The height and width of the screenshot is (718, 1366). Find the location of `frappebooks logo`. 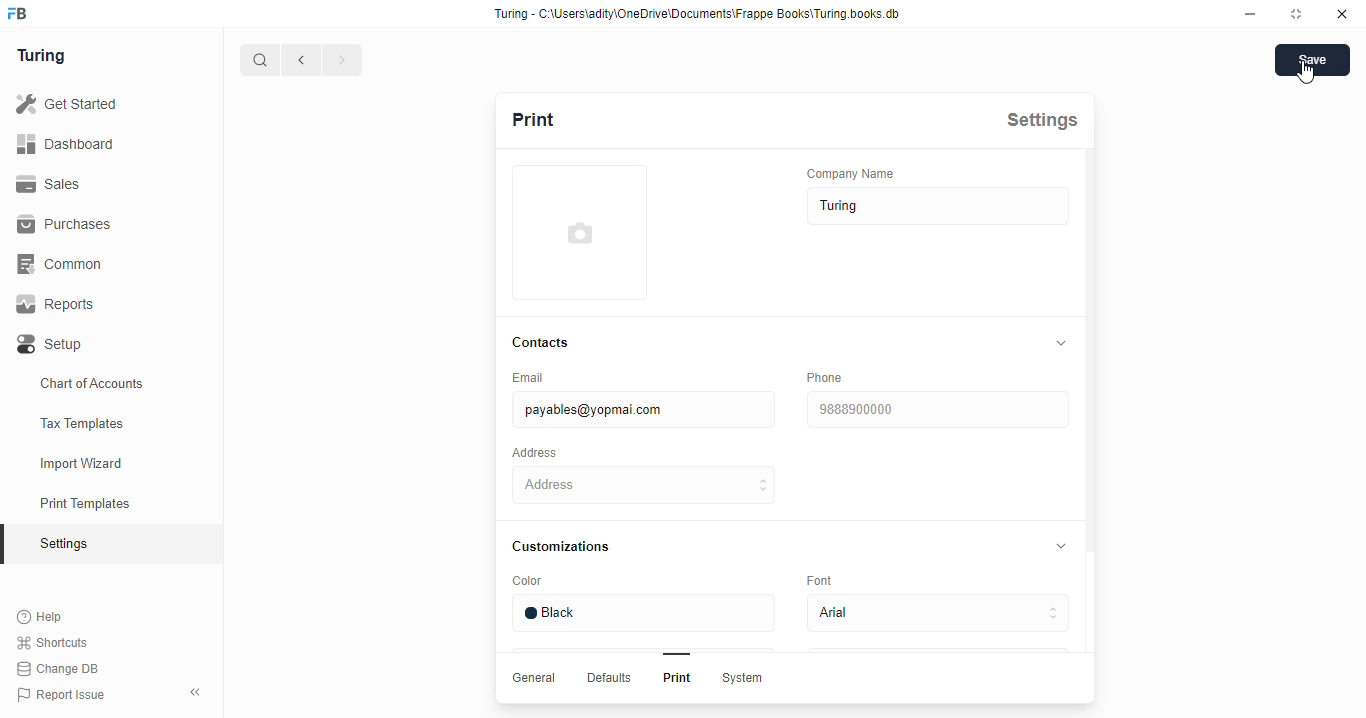

frappebooks logo is located at coordinates (26, 14).